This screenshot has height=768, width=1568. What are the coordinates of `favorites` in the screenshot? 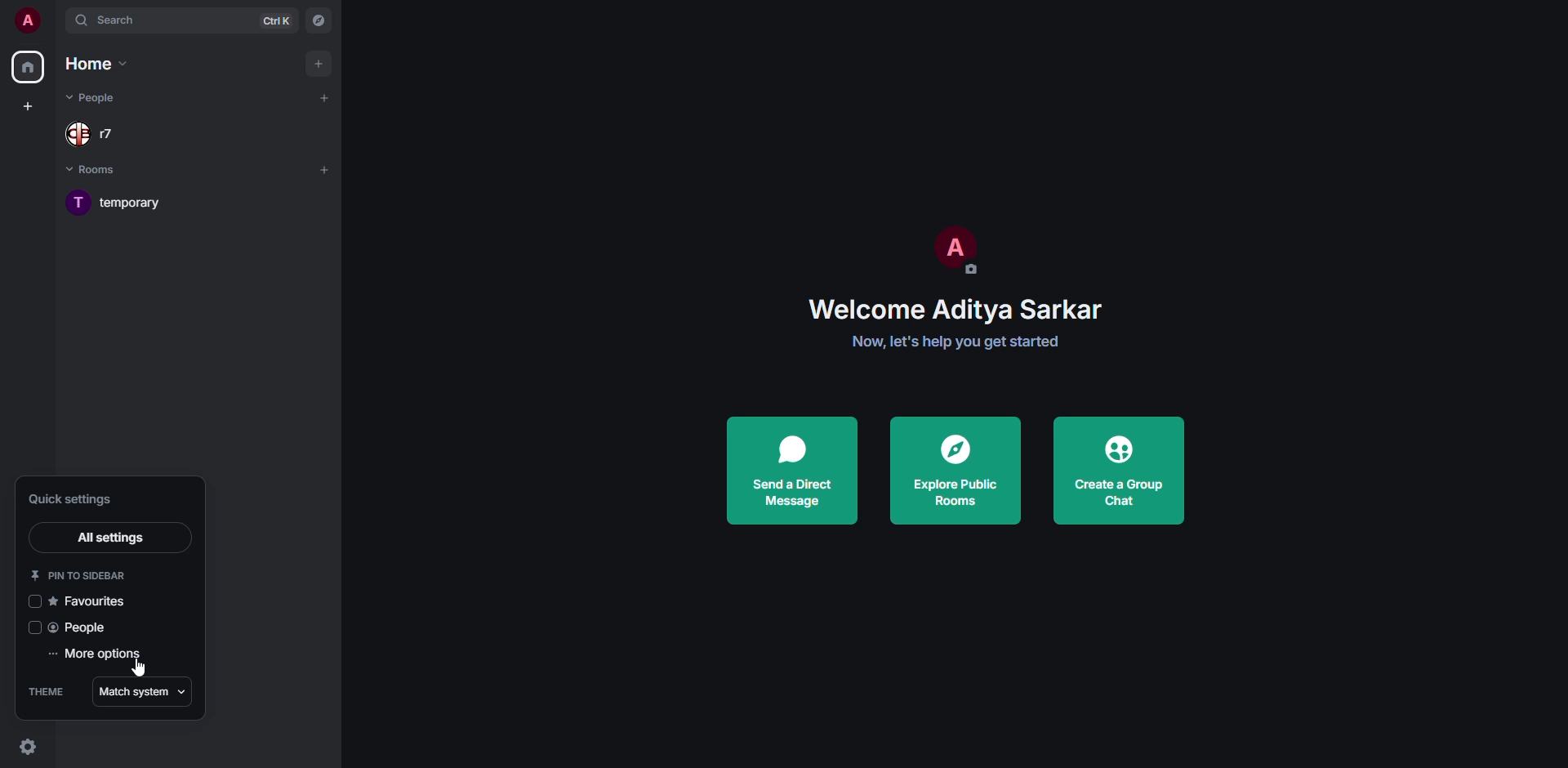 It's located at (94, 601).